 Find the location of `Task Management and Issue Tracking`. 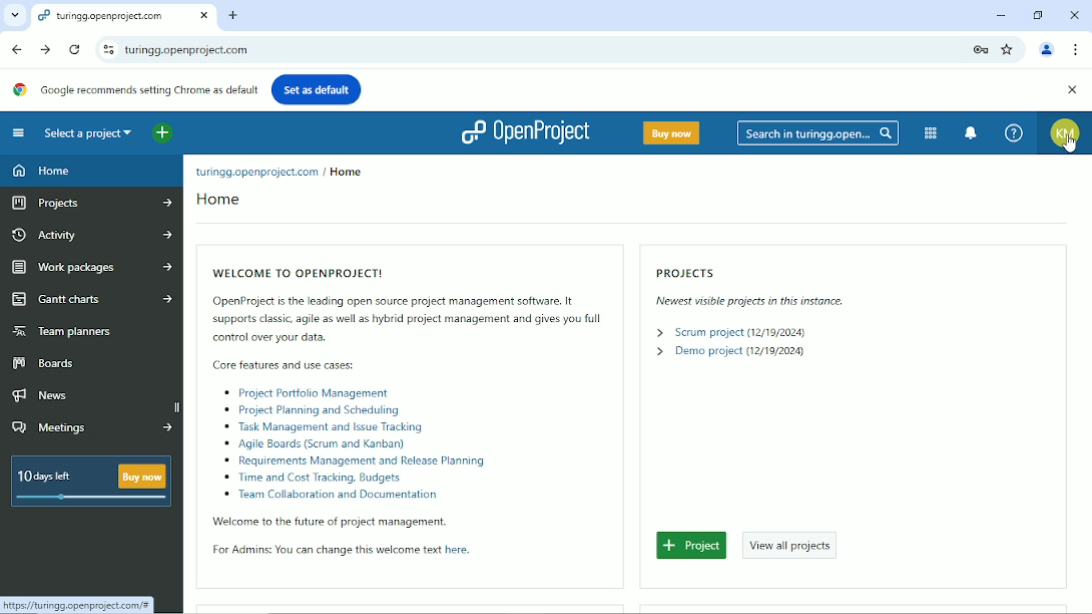

Task Management and Issue Tracking is located at coordinates (326, 427).